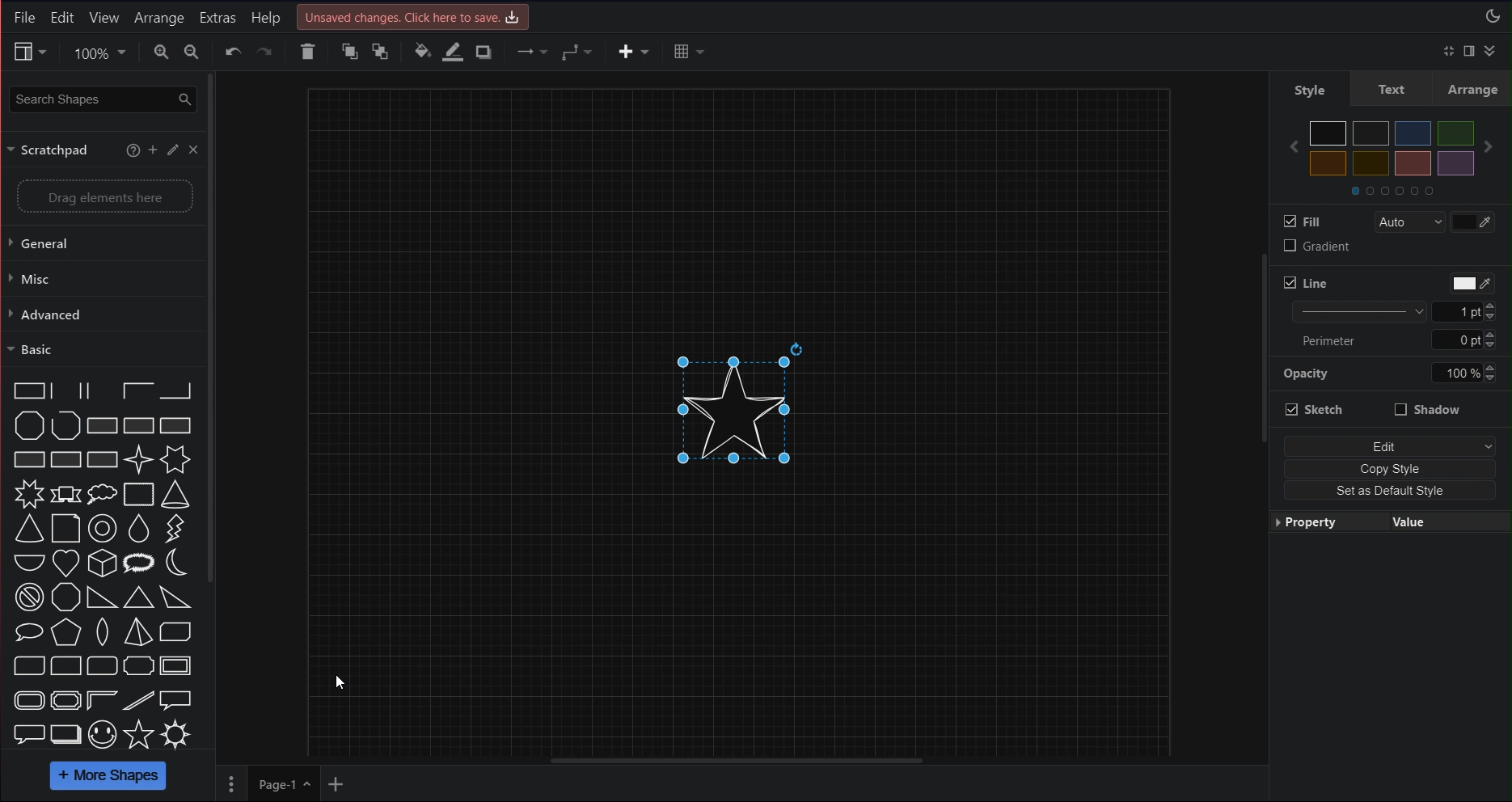  I want to click on Zoom in, so click(161, 52).